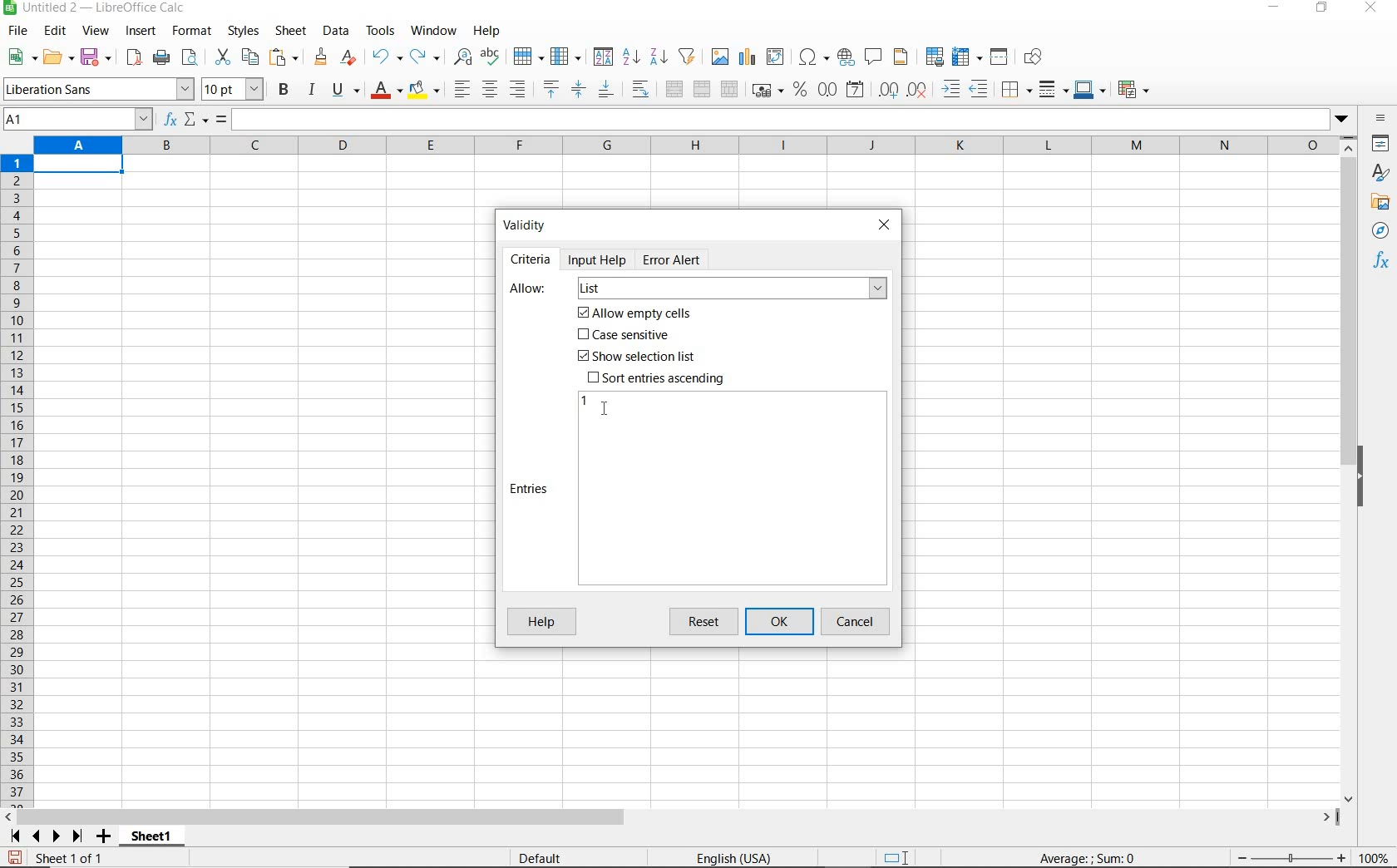  What do you see at coordinates (904, 57) in the screenshot?
I see `headers and footers` at bounding box center [904, 57].